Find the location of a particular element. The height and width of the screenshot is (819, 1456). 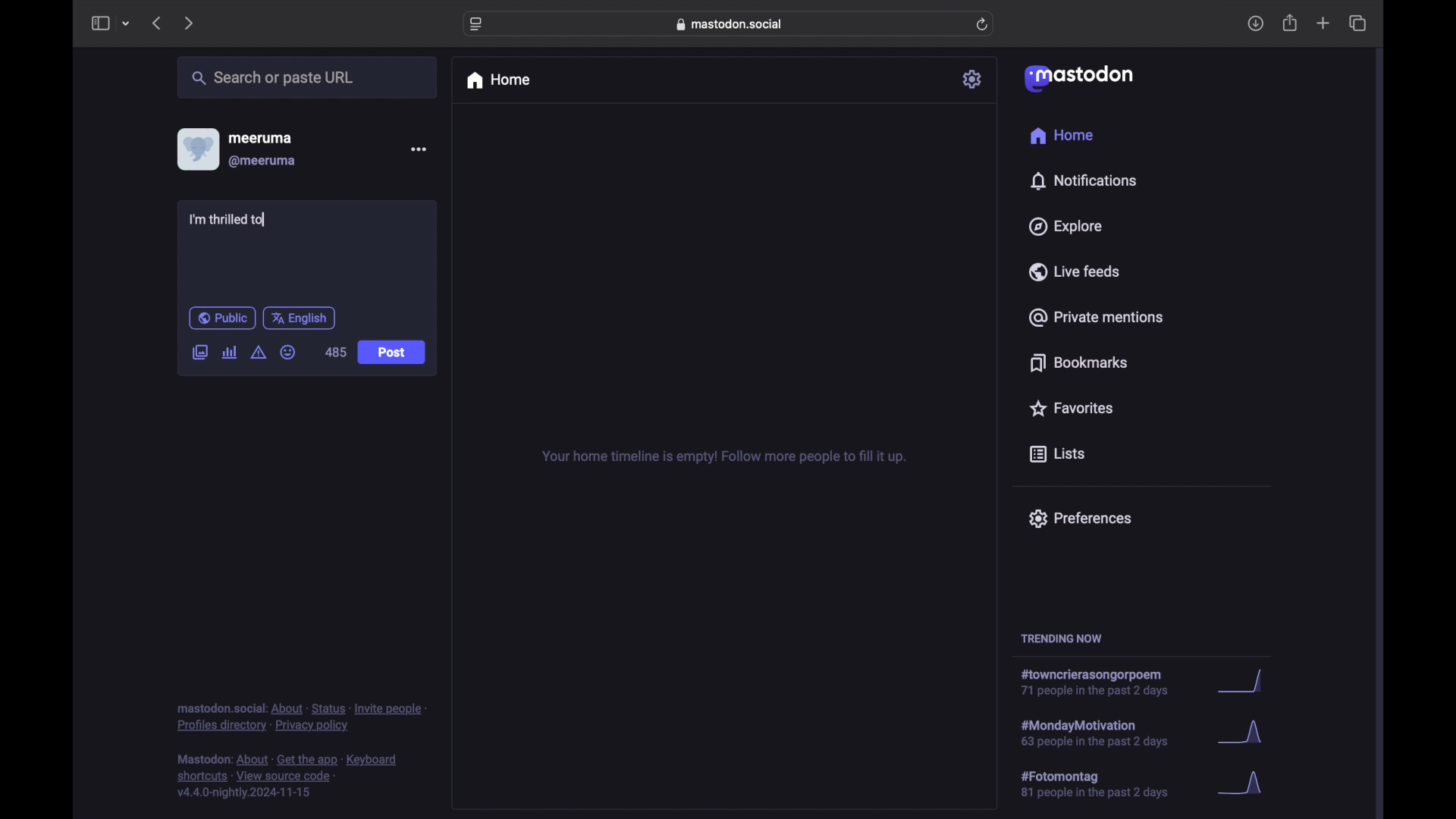

share is located at coordinates (1291, 23).